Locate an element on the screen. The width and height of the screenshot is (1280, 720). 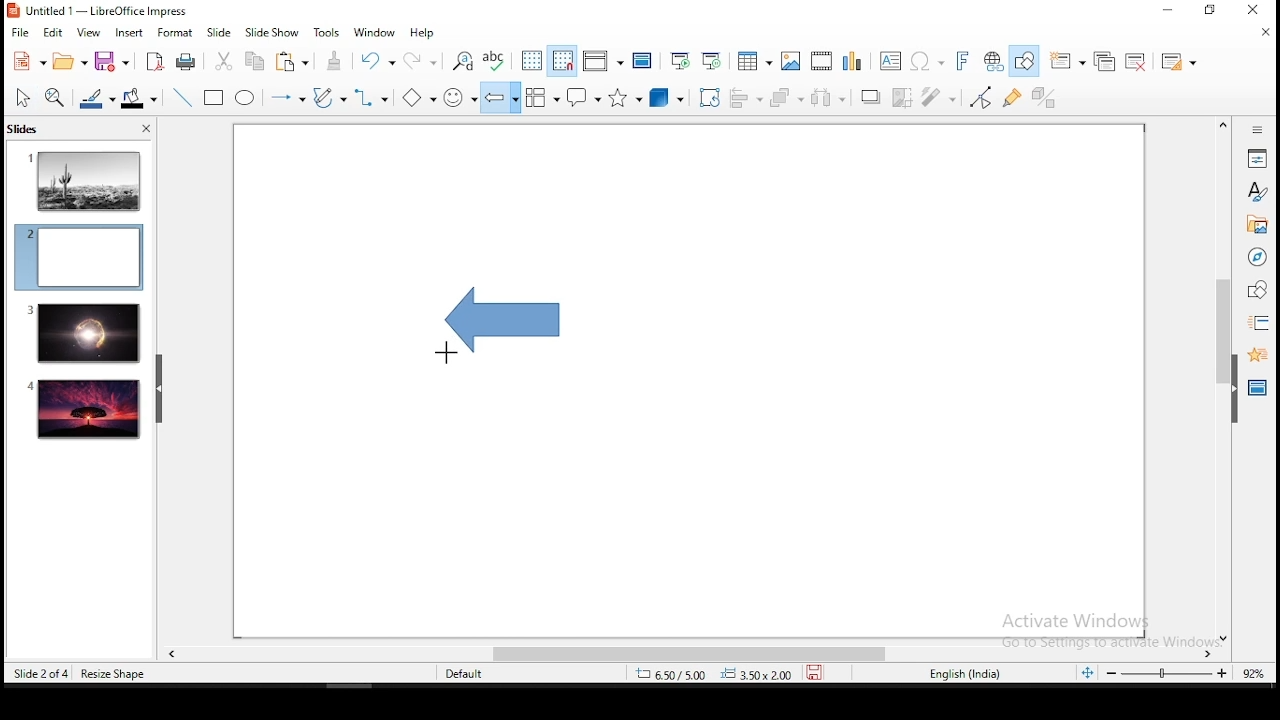
display views is located at coordinates (602, 61).